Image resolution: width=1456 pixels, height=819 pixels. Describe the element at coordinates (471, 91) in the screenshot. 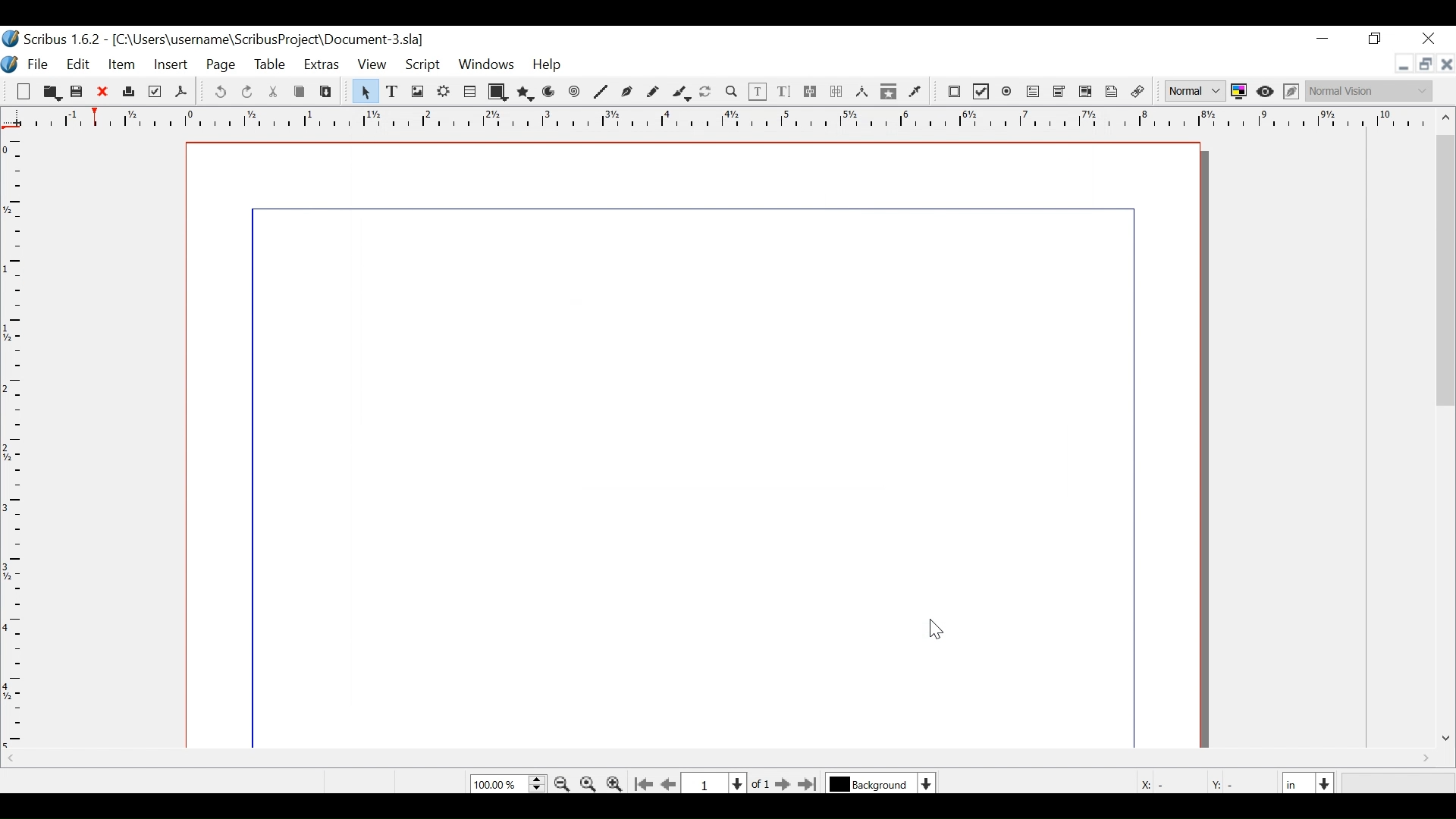

I see `Table` at that location.